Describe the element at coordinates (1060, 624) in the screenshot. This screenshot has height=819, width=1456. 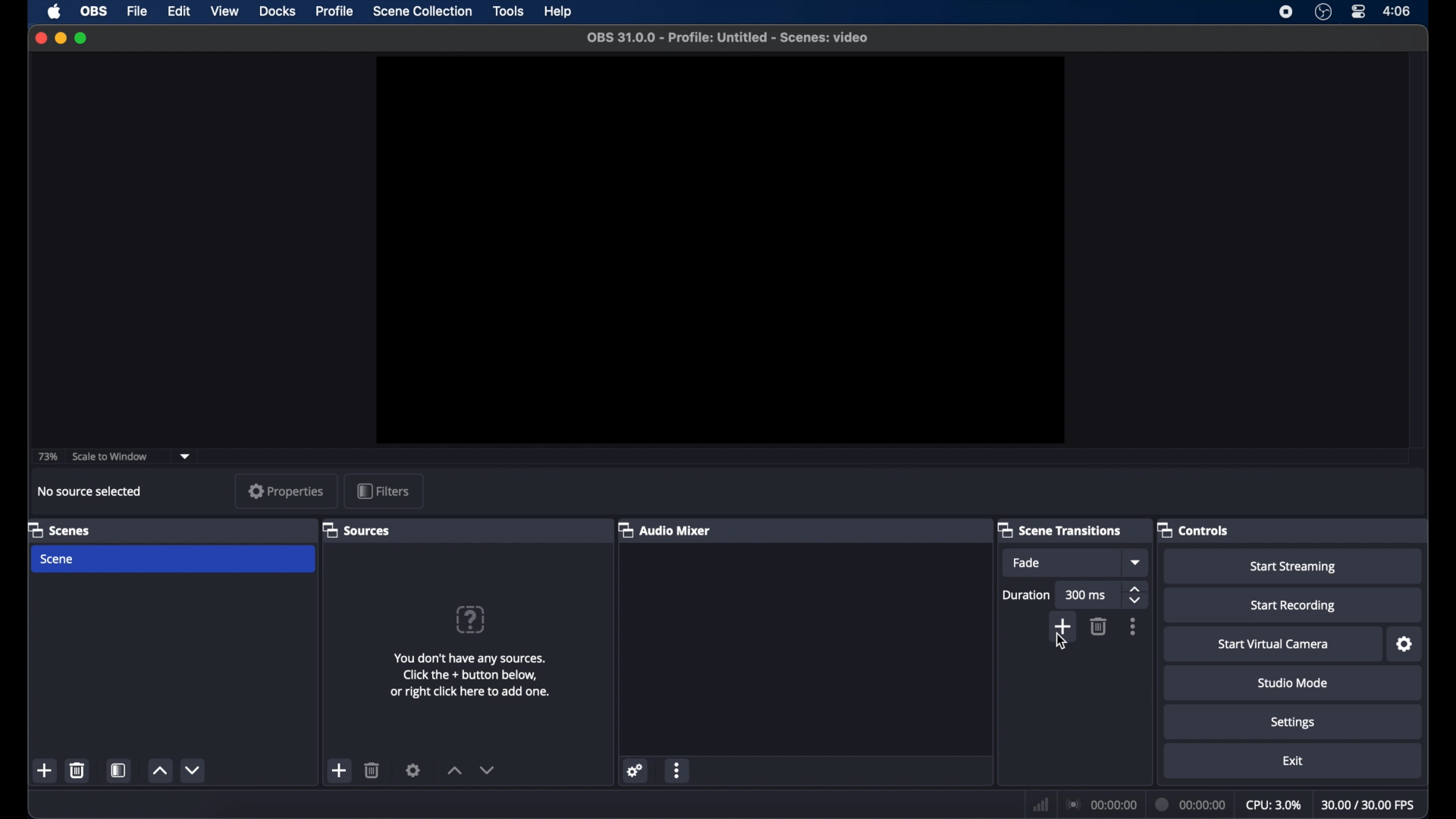
I see `add` at that location.